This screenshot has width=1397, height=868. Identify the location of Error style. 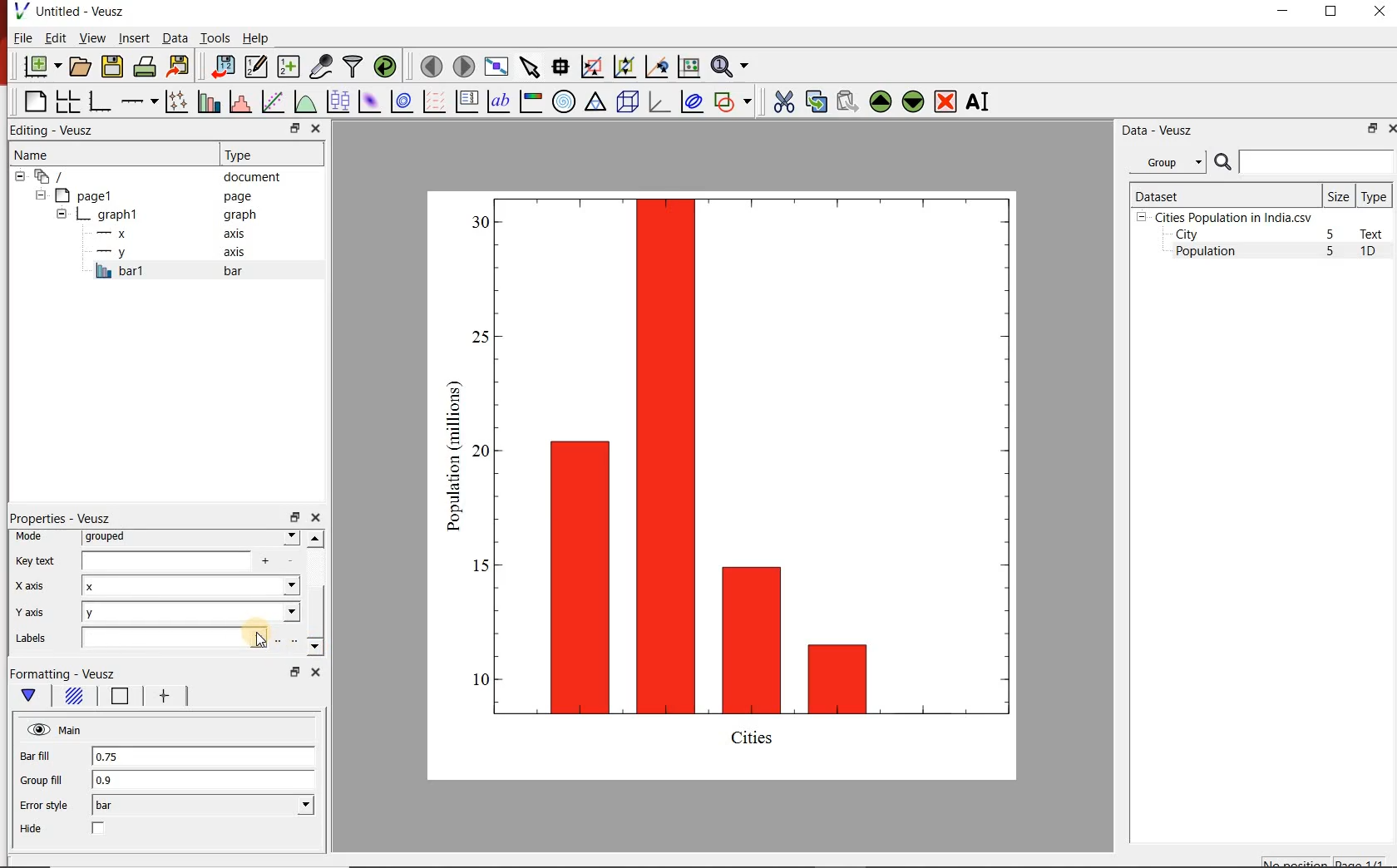
(43, 806).